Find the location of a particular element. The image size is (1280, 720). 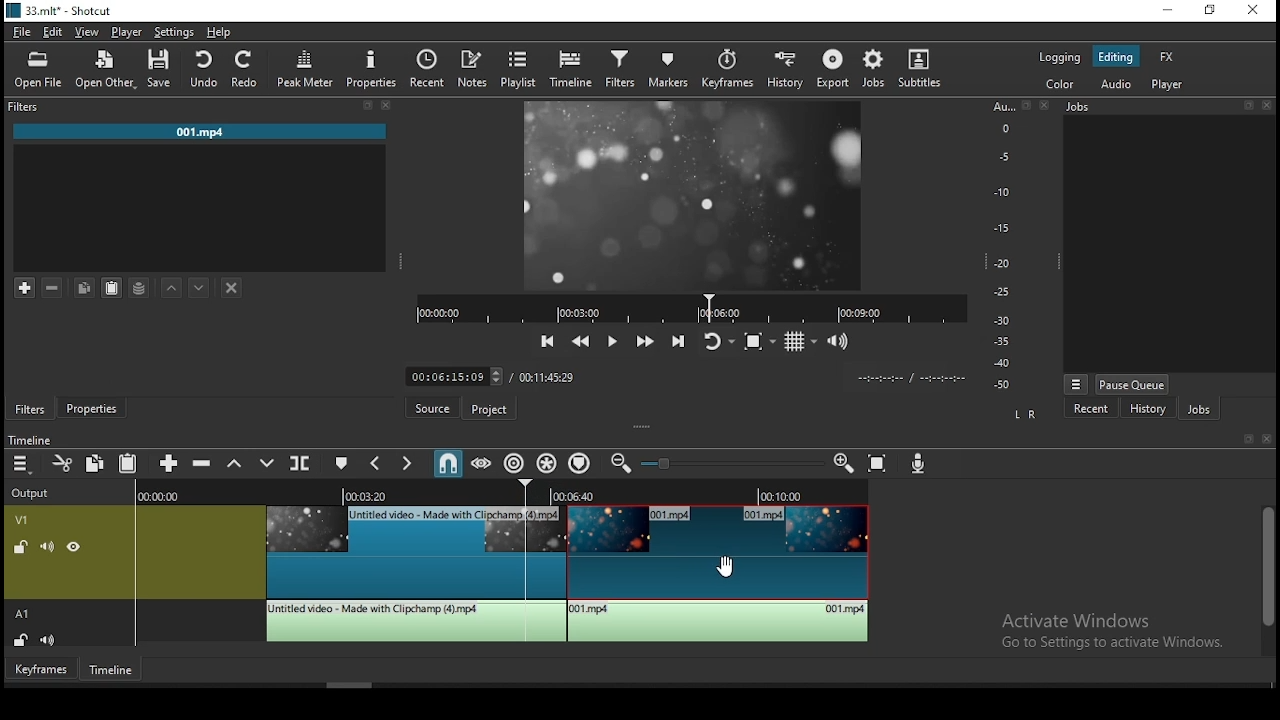

play quickly backward is located at coordinates (583, 341).